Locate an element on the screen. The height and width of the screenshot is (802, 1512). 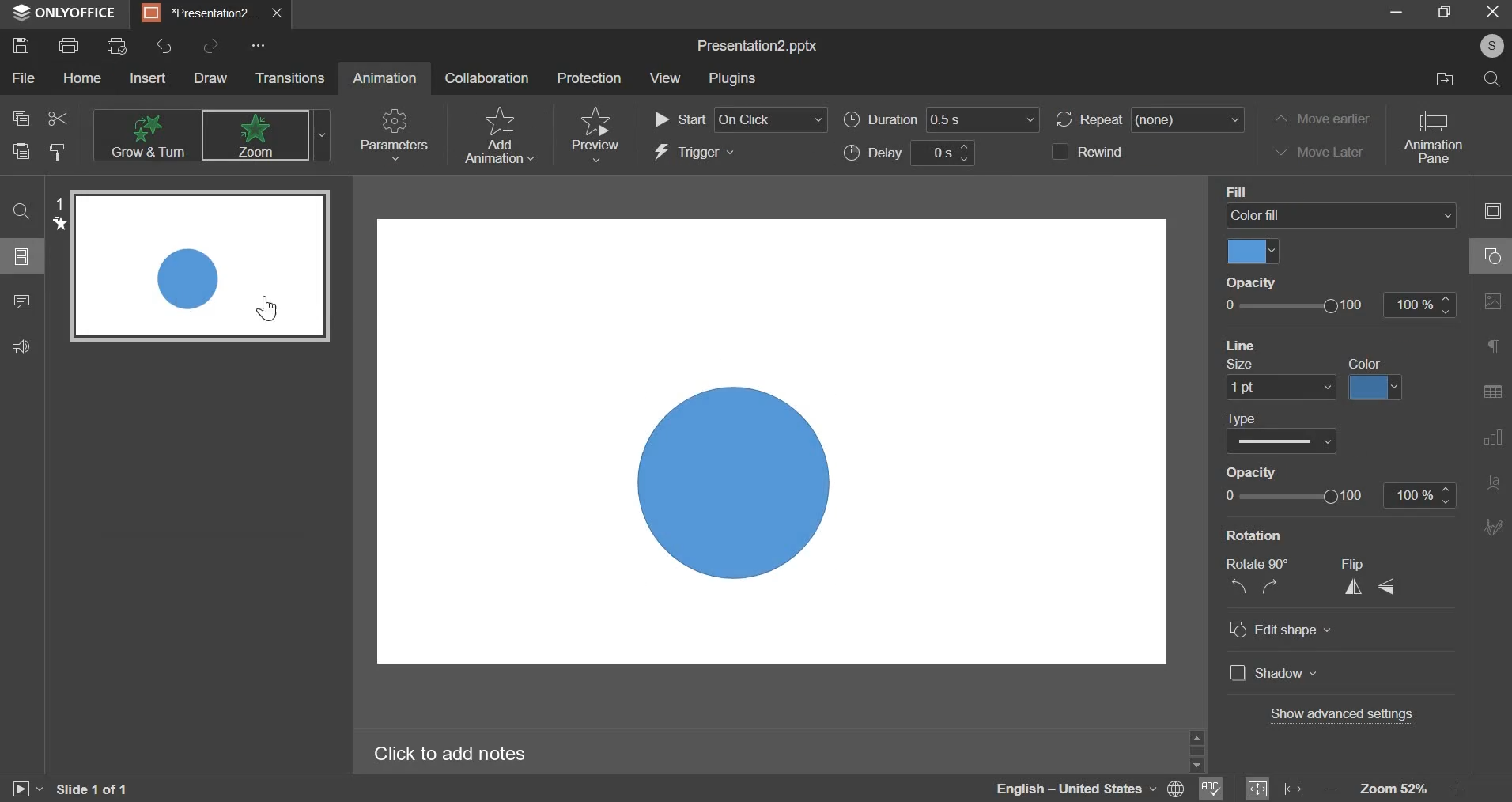
edit shape is located at coordinates (1279, 630).